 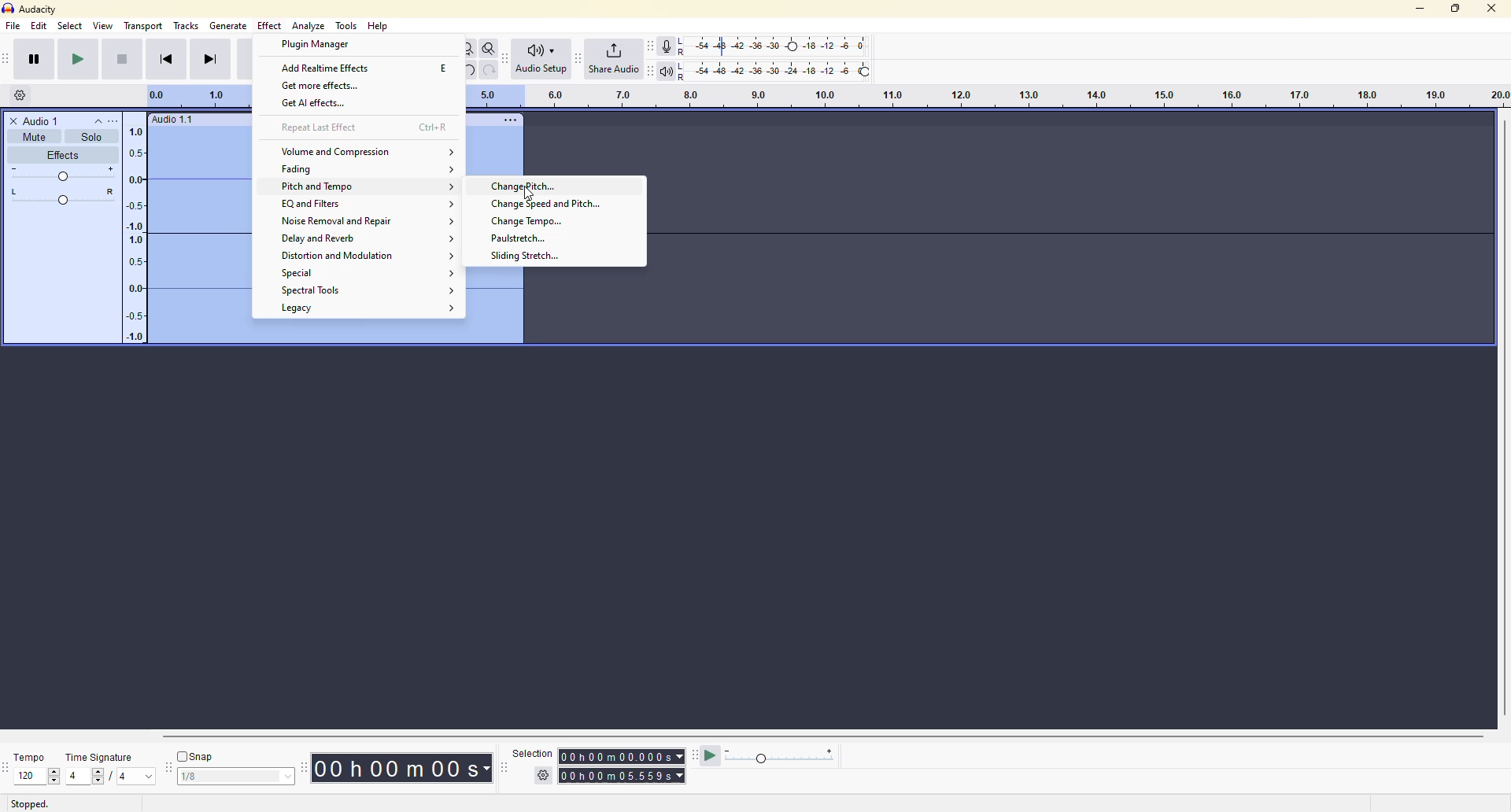 I want to click on distortion and modulation, so click(x=341, y=257).